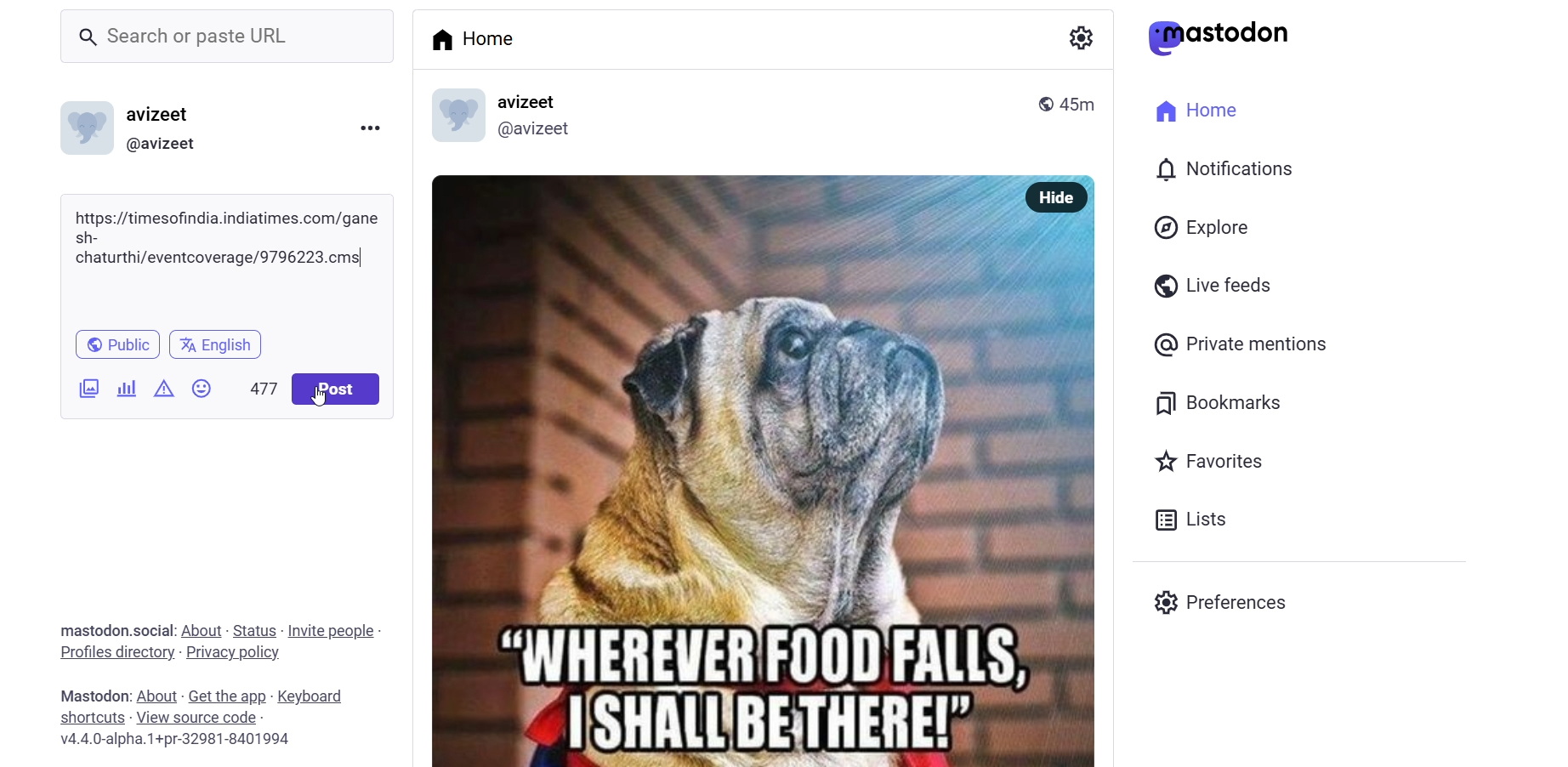 The image size is (1568, 767). I want to click on (@avizeet, so click(178, 143).